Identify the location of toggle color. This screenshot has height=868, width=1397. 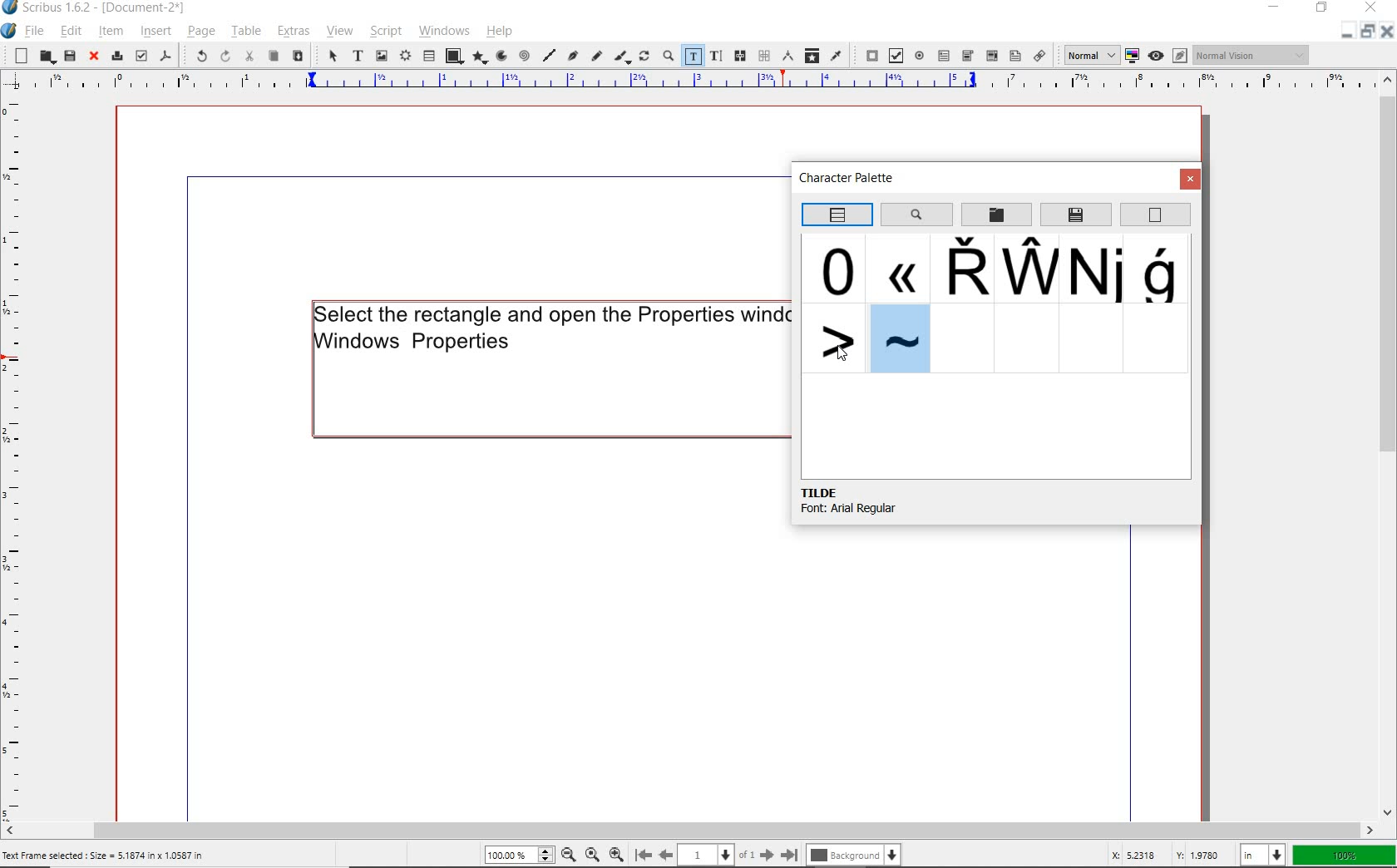
(1131, 56).